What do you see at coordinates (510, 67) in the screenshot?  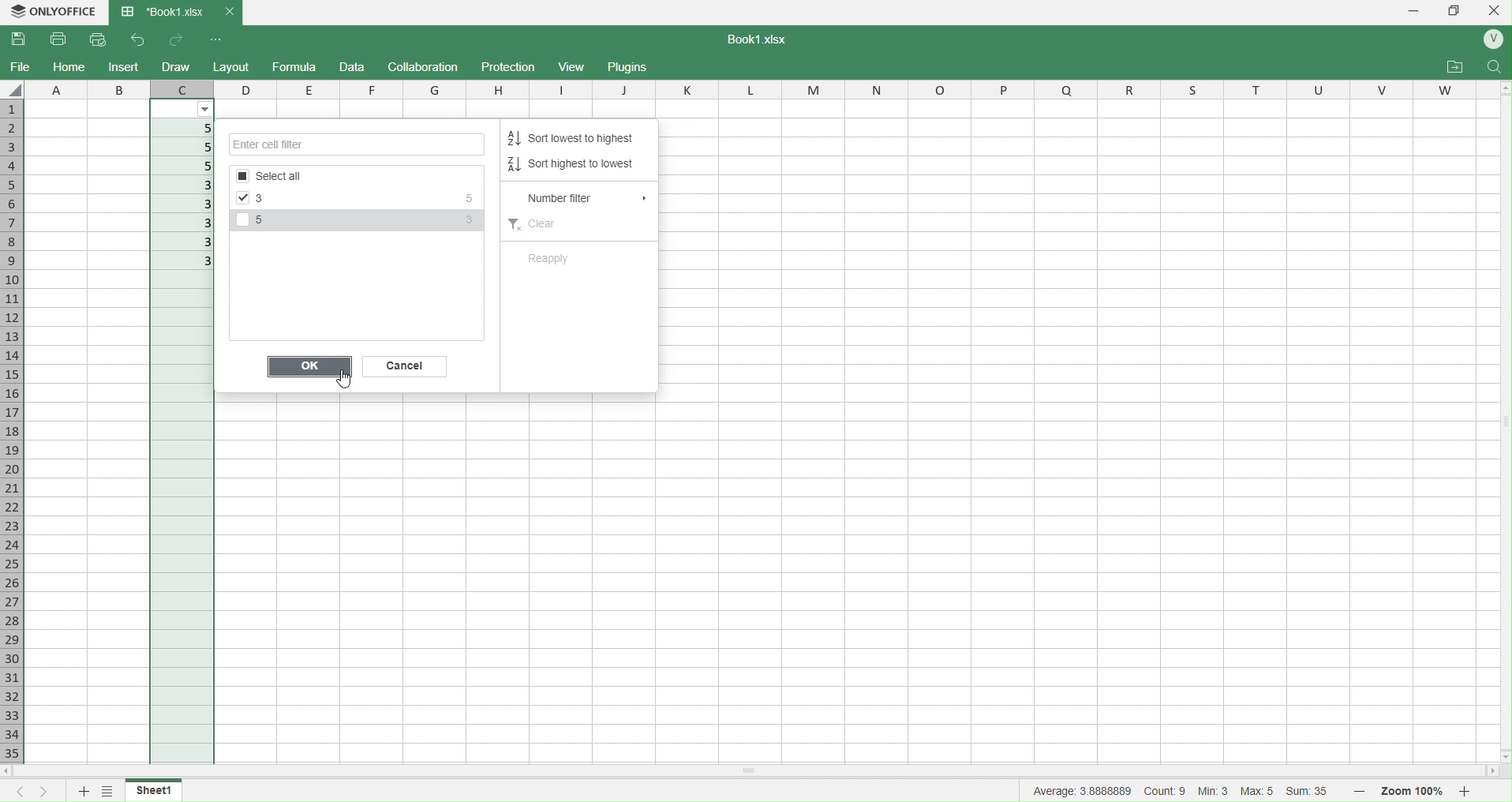 I see `Protection` at bounding box center [510, 67].